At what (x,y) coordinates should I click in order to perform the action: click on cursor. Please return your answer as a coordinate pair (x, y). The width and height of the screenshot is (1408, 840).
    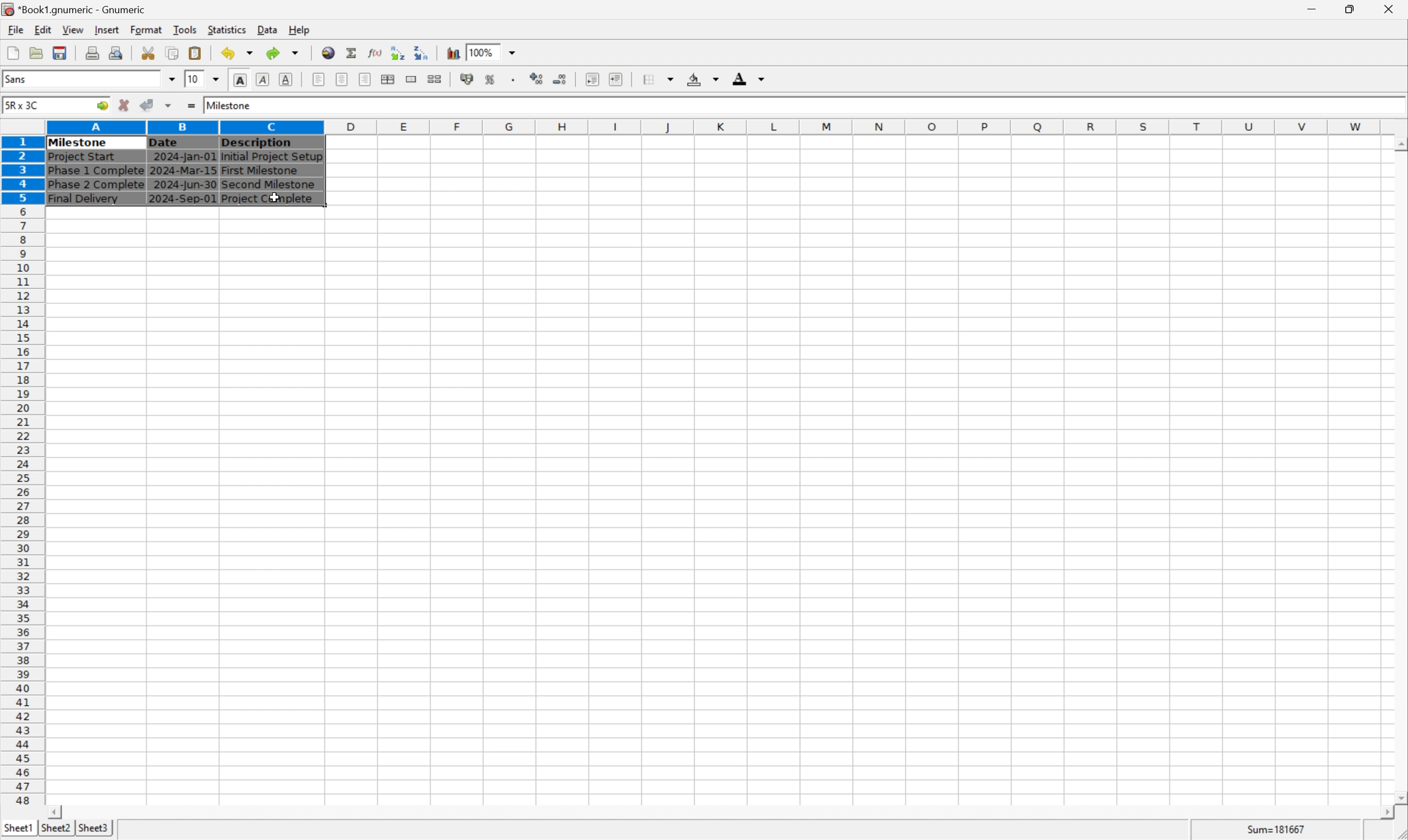
    Looking at the image, I should click on (274, 197).